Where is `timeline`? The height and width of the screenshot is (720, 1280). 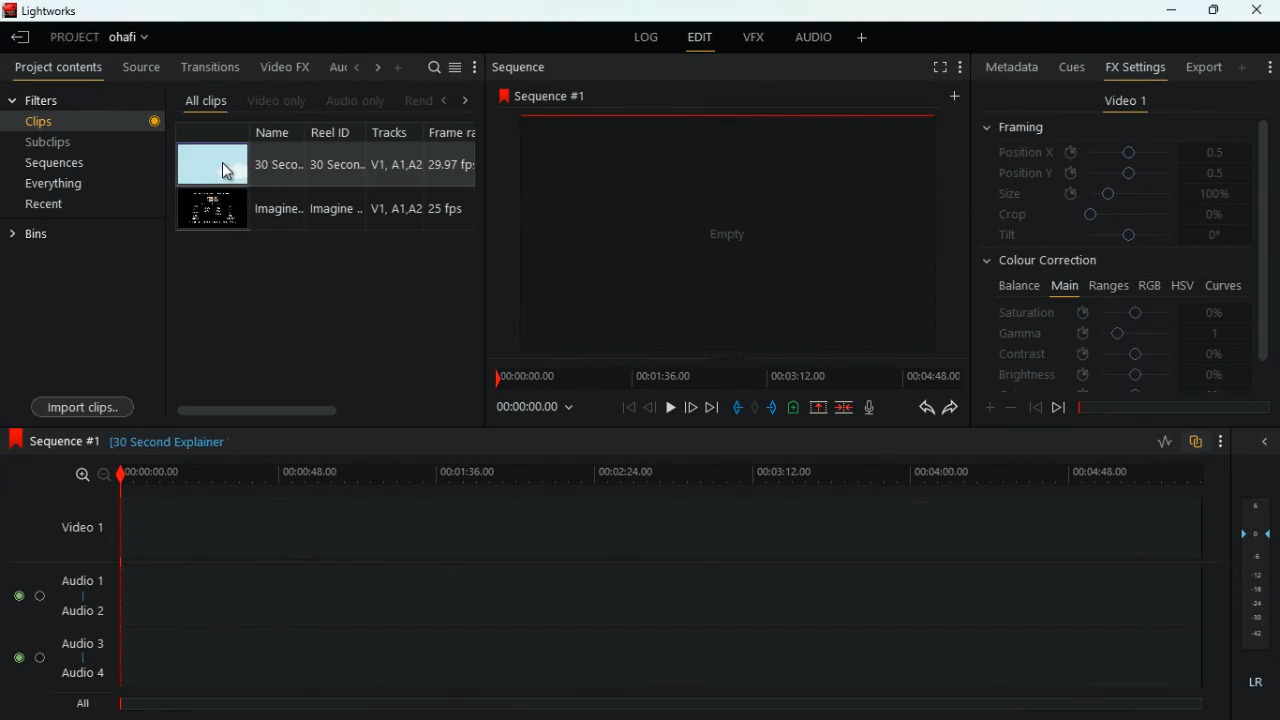 timeline is located at coordinates (1171, 407).